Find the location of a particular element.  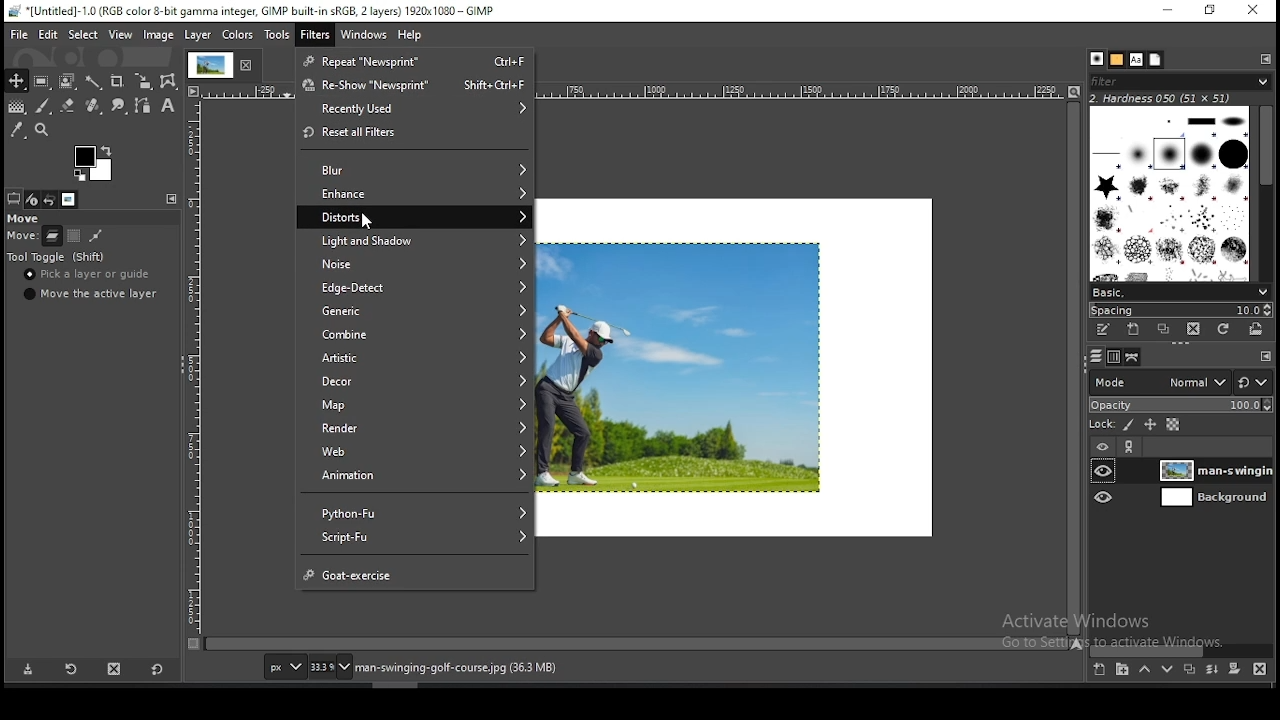

repeat "newsprint" is located at coordinates (414, 63).